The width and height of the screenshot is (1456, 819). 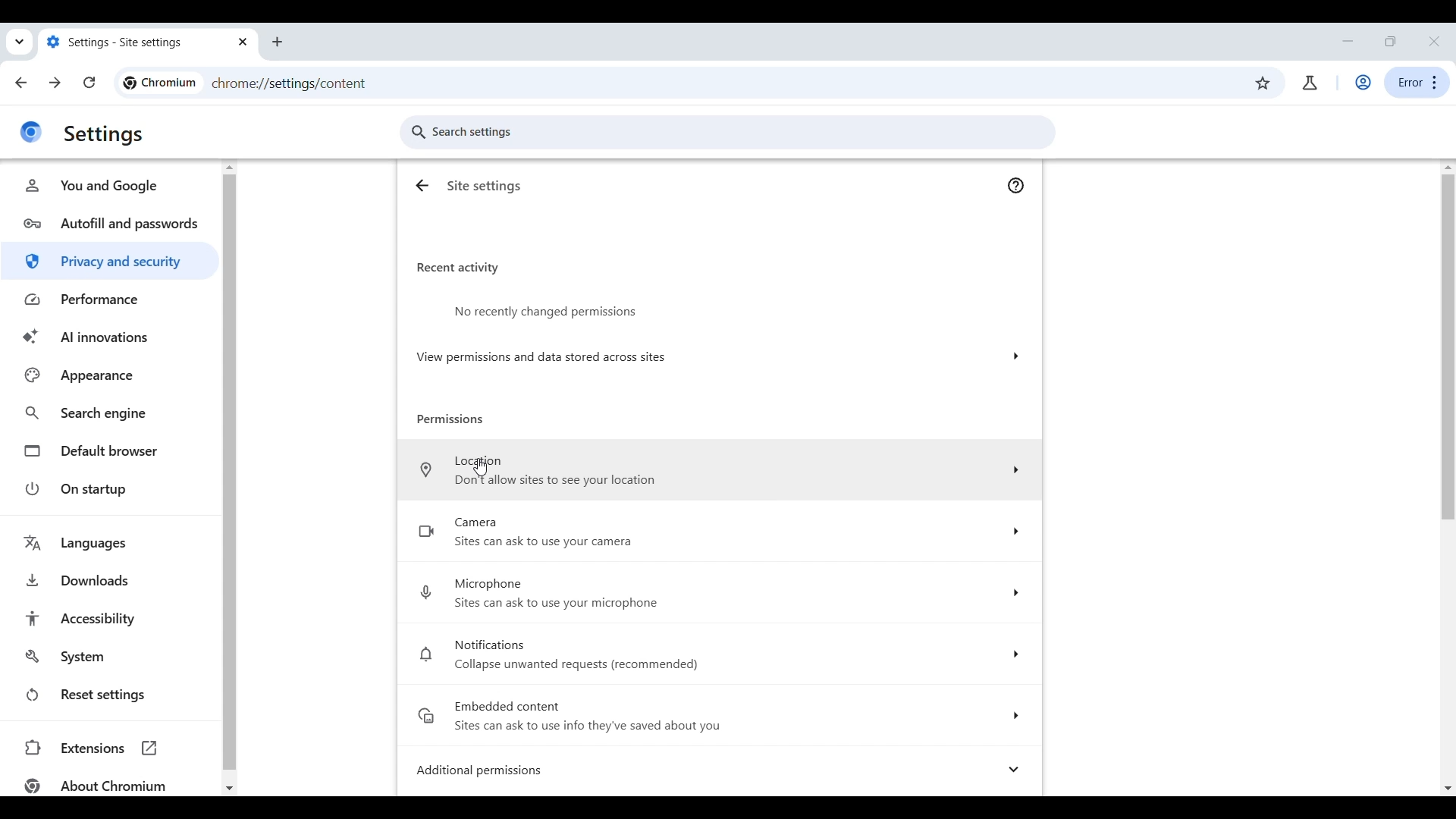 I want to click on chrome://settings/content, so click(x=289, y=83).